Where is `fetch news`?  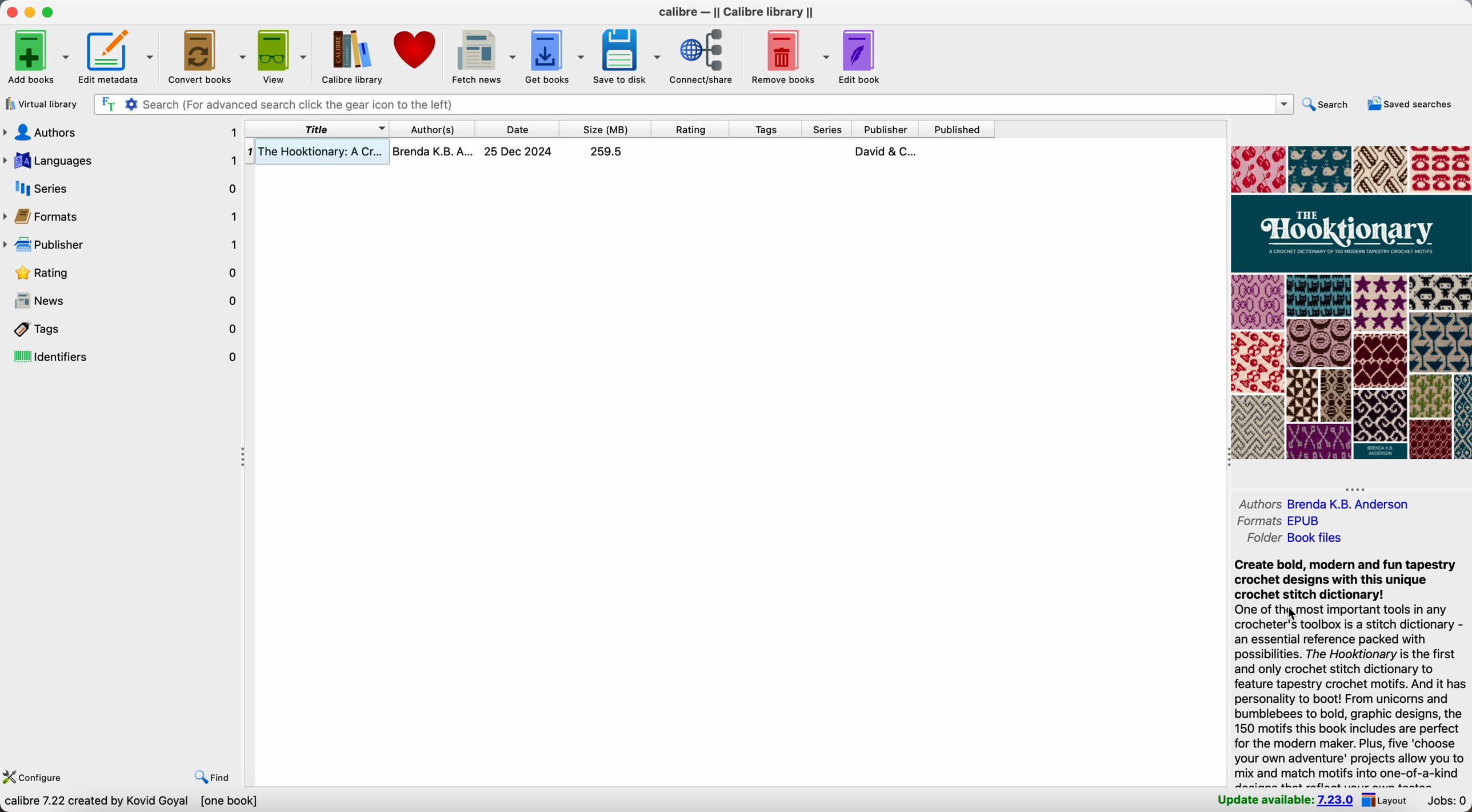 fetch news is located at coordinates (484, 55).